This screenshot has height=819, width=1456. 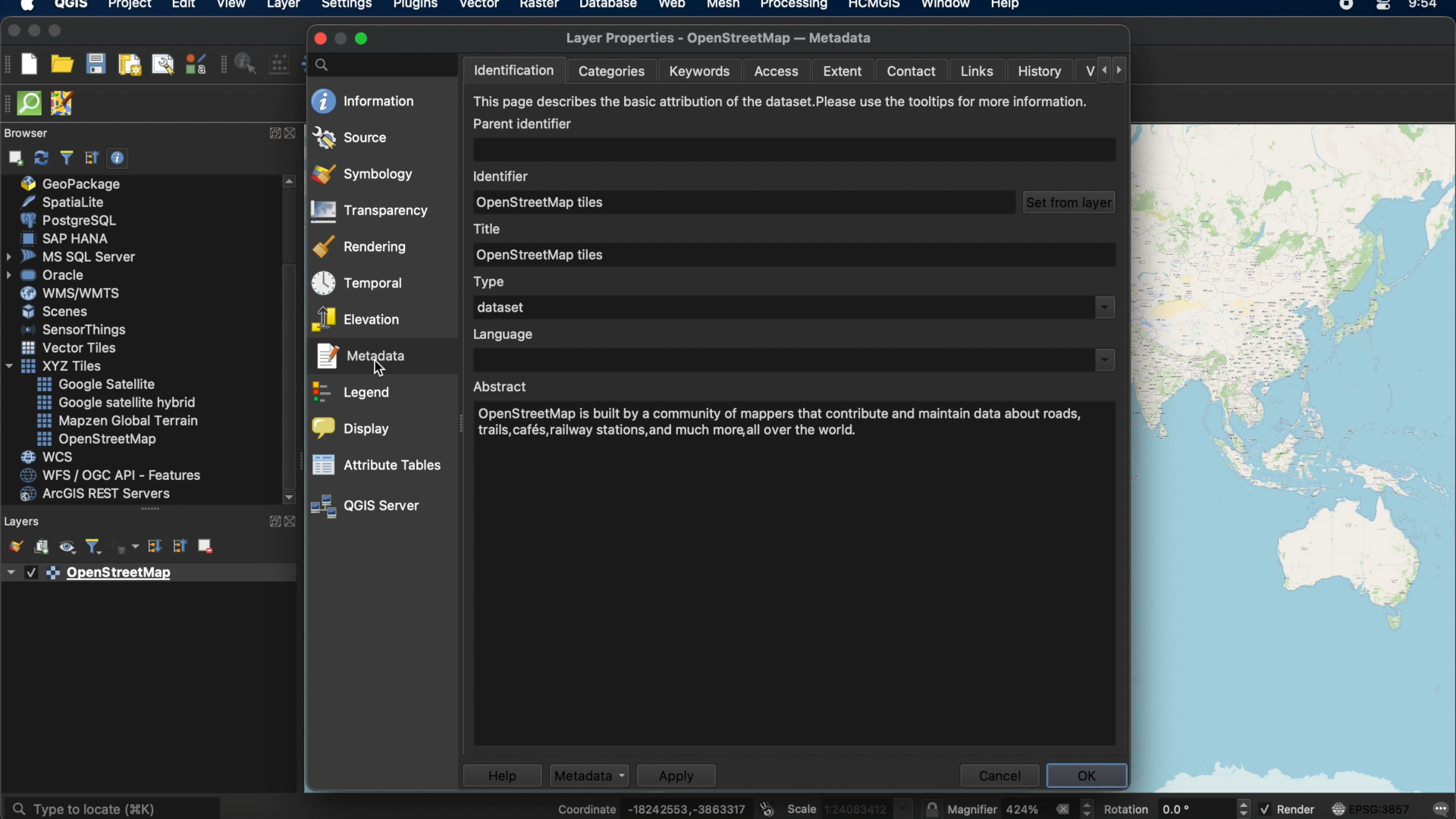 What do you see at coordinates (1442, 807) in the screenshot?
I see `messages` at bounding box center [1442, 807].